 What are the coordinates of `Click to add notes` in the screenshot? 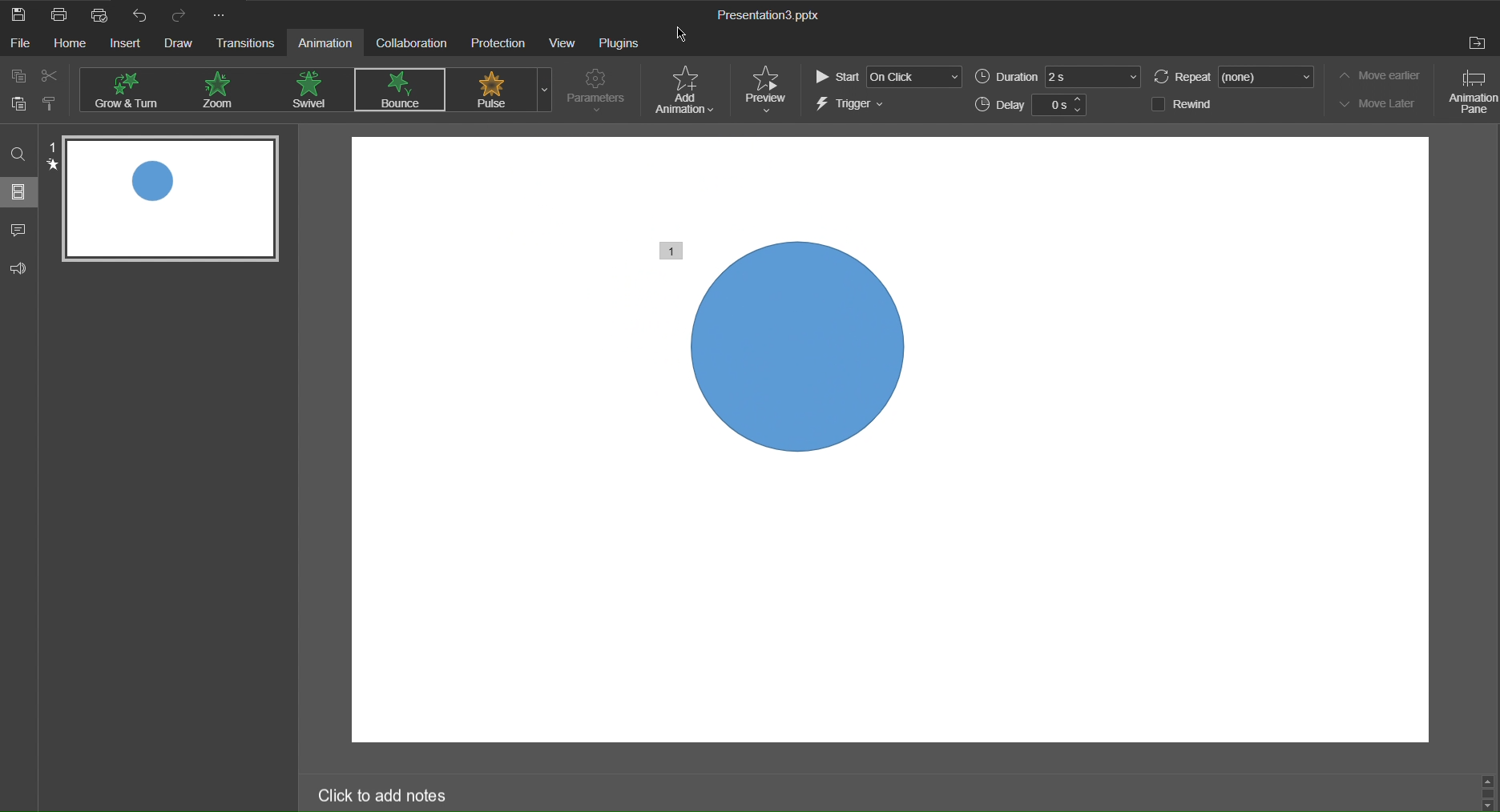 It's located at (381, 792).